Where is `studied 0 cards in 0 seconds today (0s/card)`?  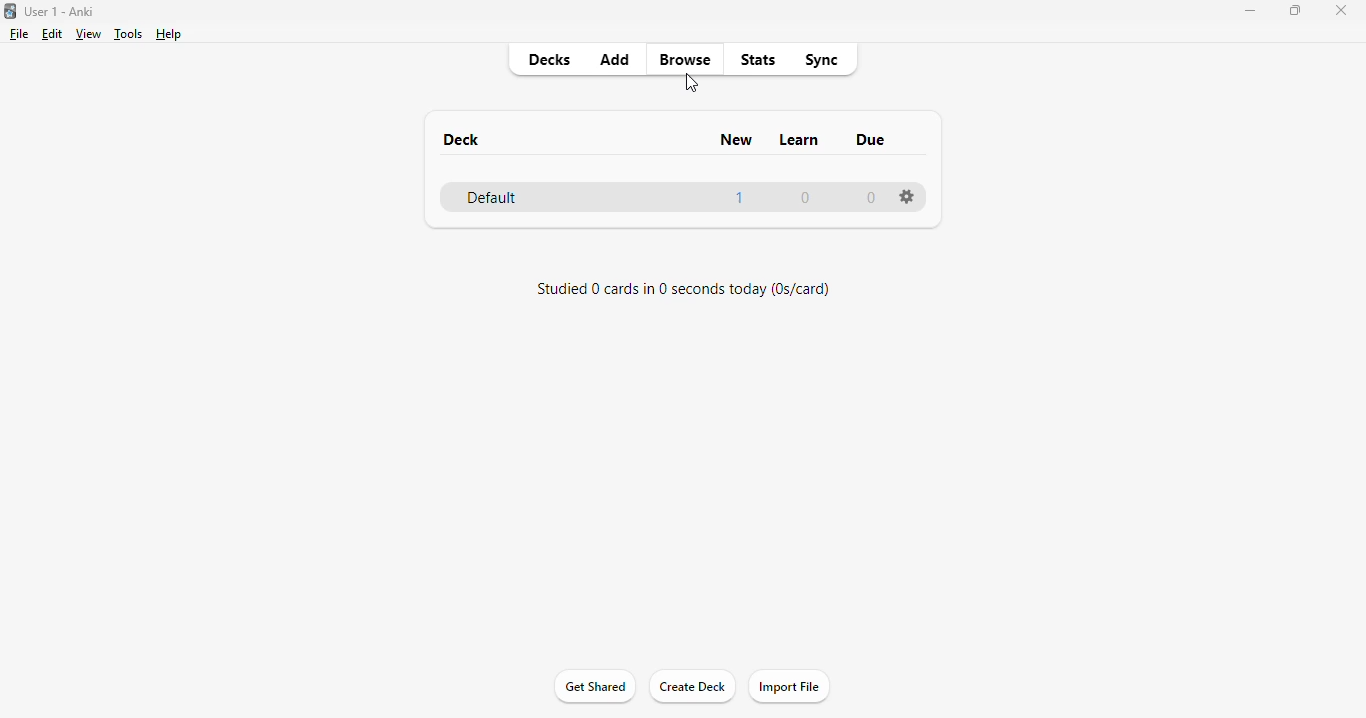
studied 0 cards in 0 seconds today (0s/card) is located at coordinates (685, 289).